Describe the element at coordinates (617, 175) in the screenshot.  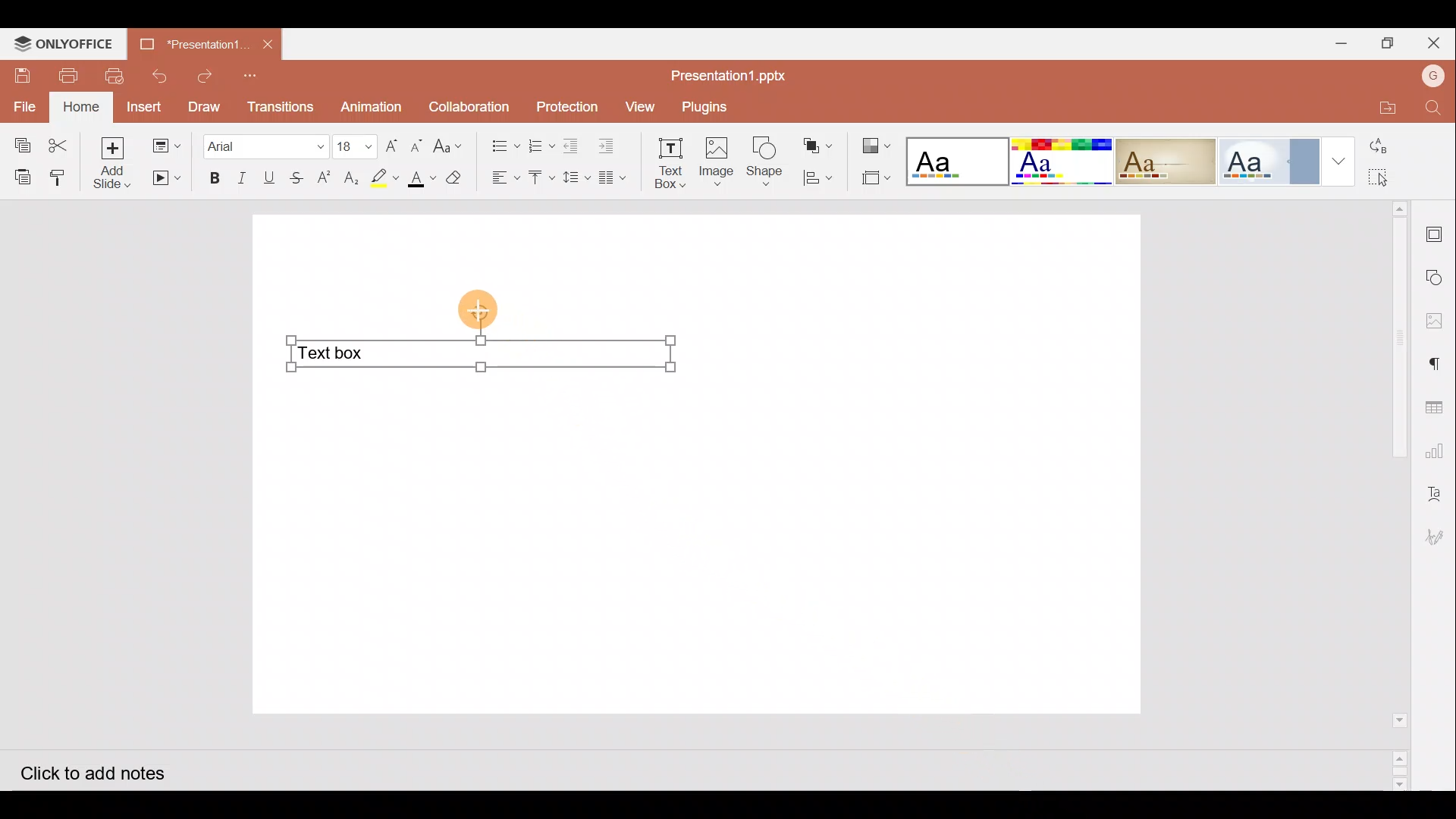
I see `Insert columns` at that location.